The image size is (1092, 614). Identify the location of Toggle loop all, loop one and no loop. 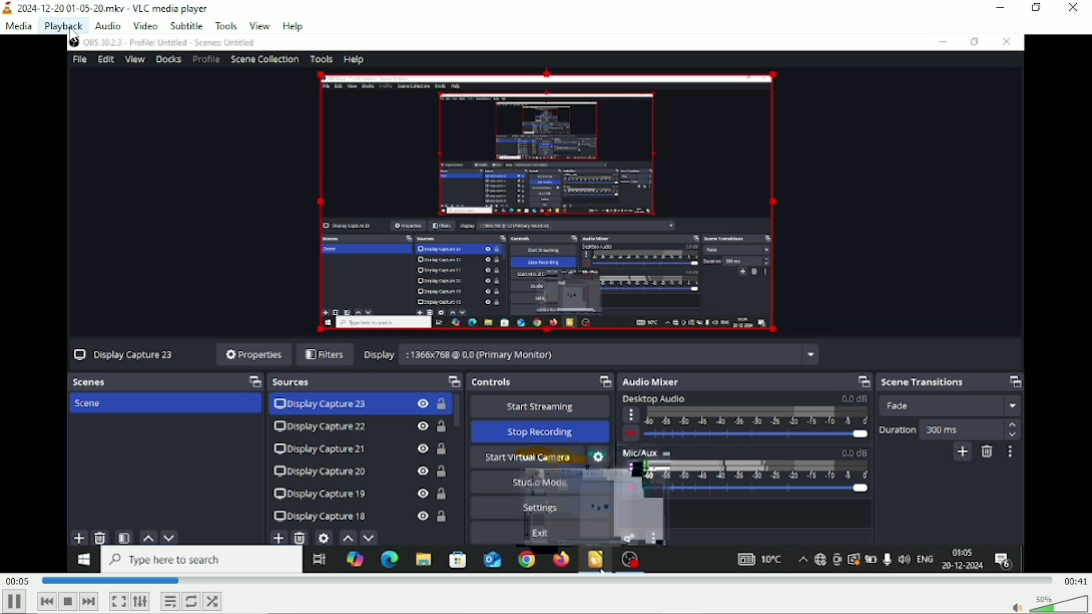
(190, 601).